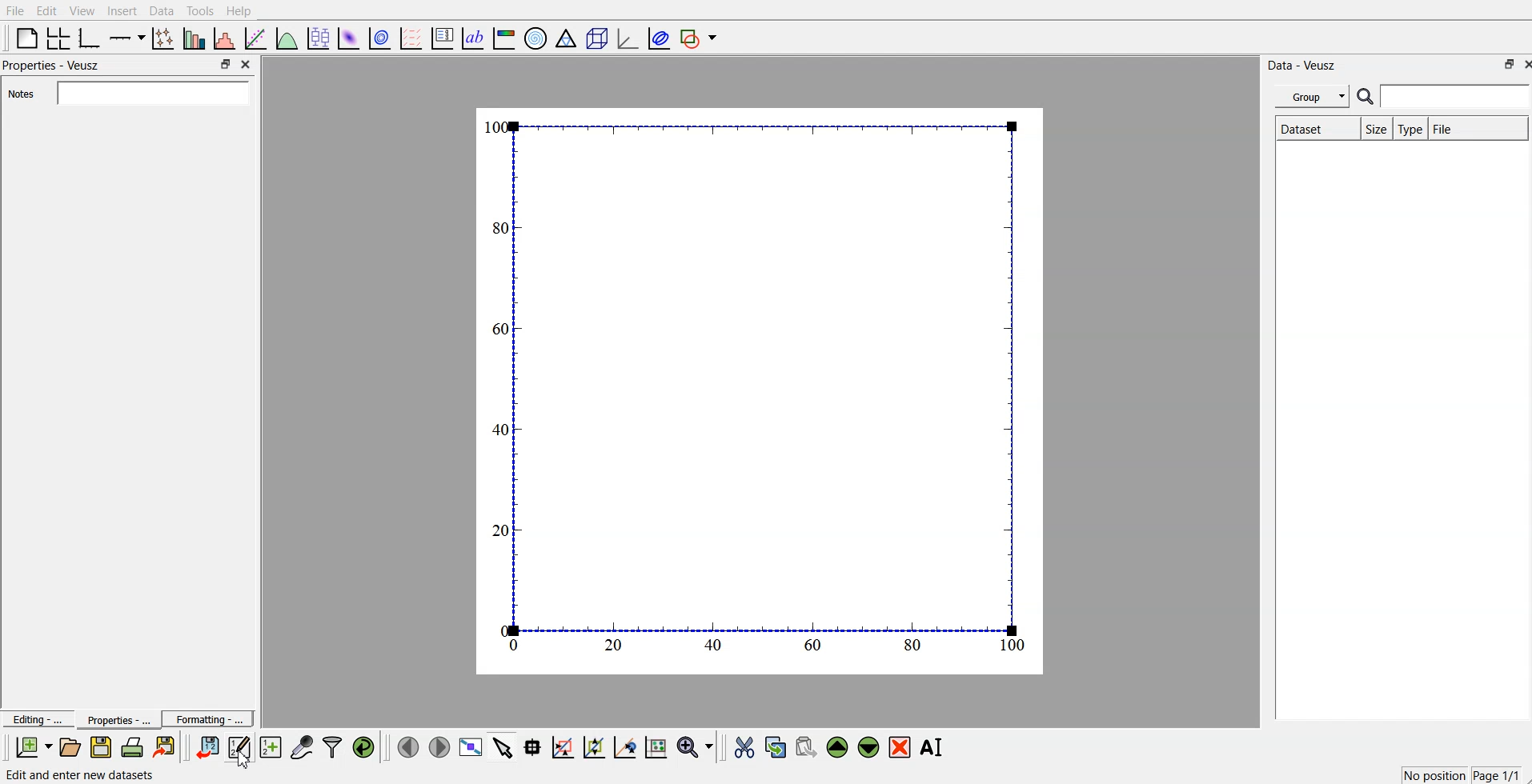  Describe the element at coordinates (807, 745) in the screenshot. I see `paste` at that location.